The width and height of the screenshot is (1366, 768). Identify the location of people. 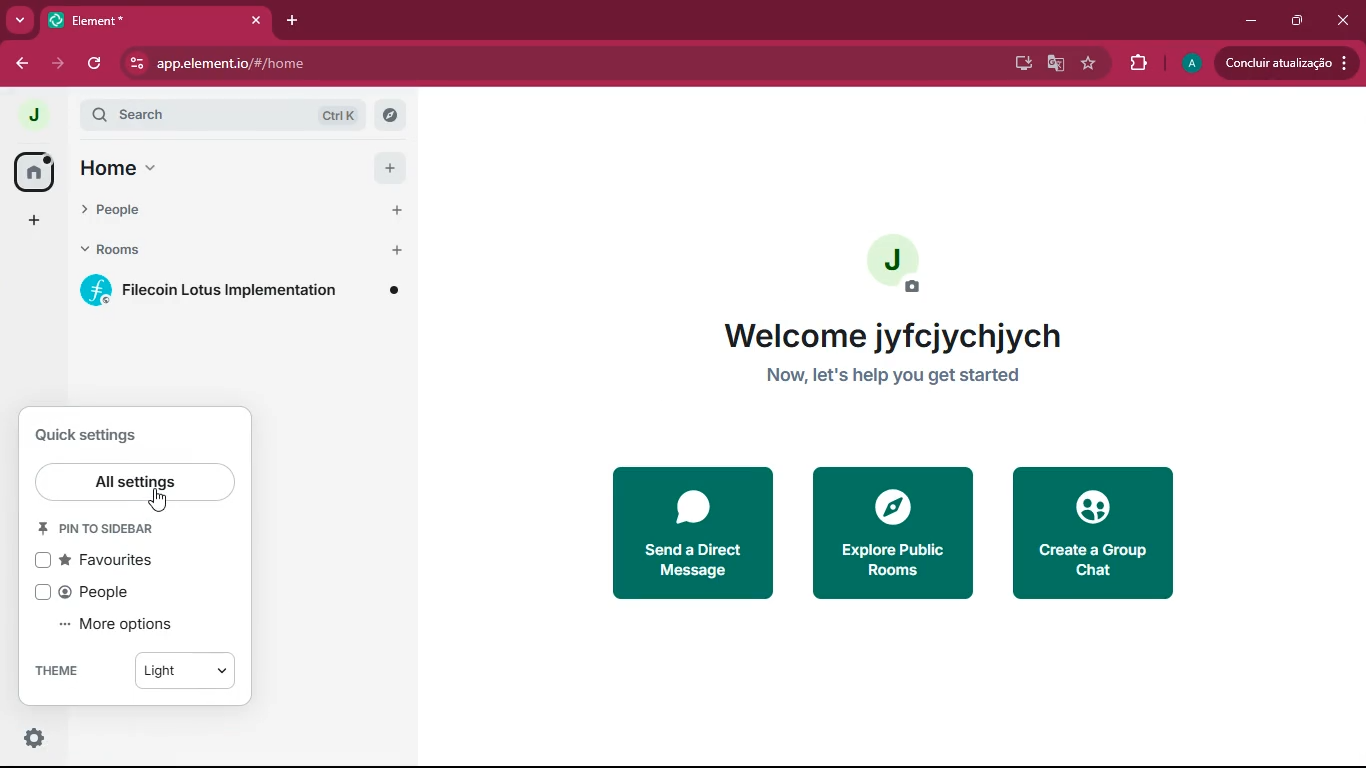
(199, 212).